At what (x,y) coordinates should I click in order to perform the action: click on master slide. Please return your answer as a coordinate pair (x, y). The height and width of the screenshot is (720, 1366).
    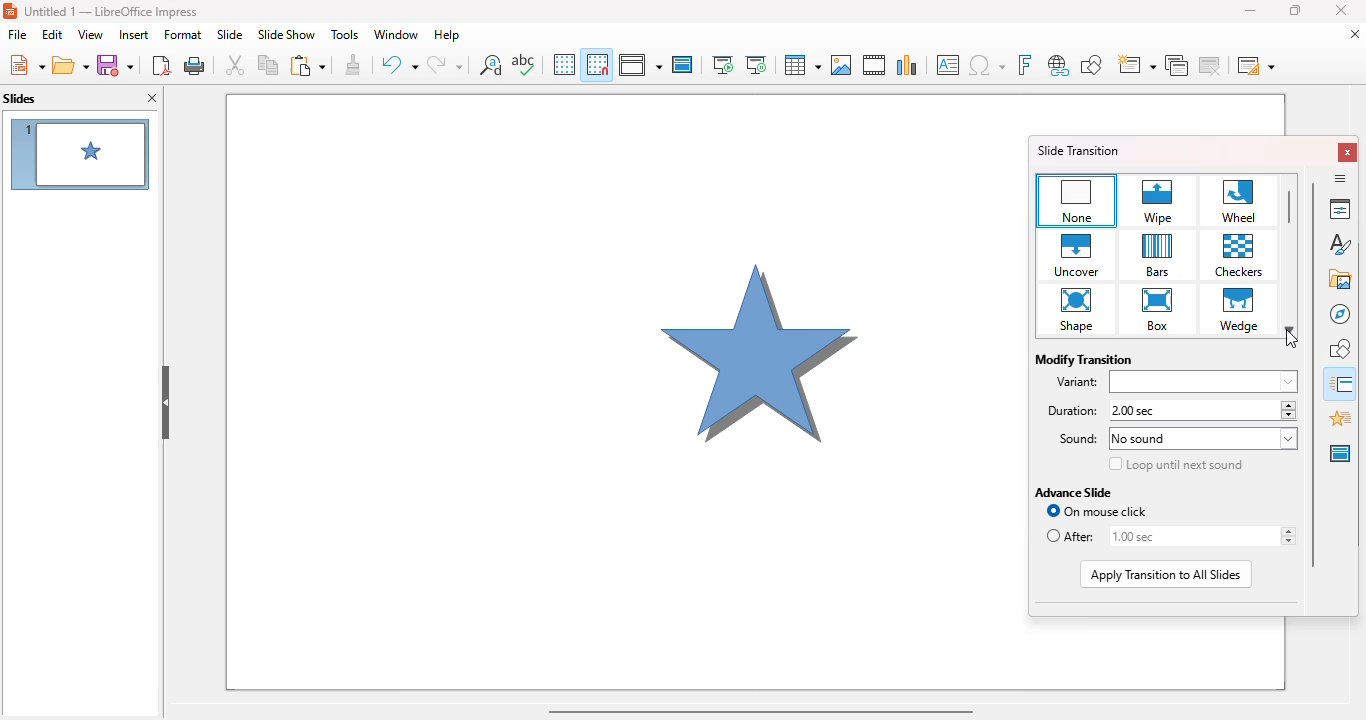
    Looking at the image, I should click on (1340, 453).